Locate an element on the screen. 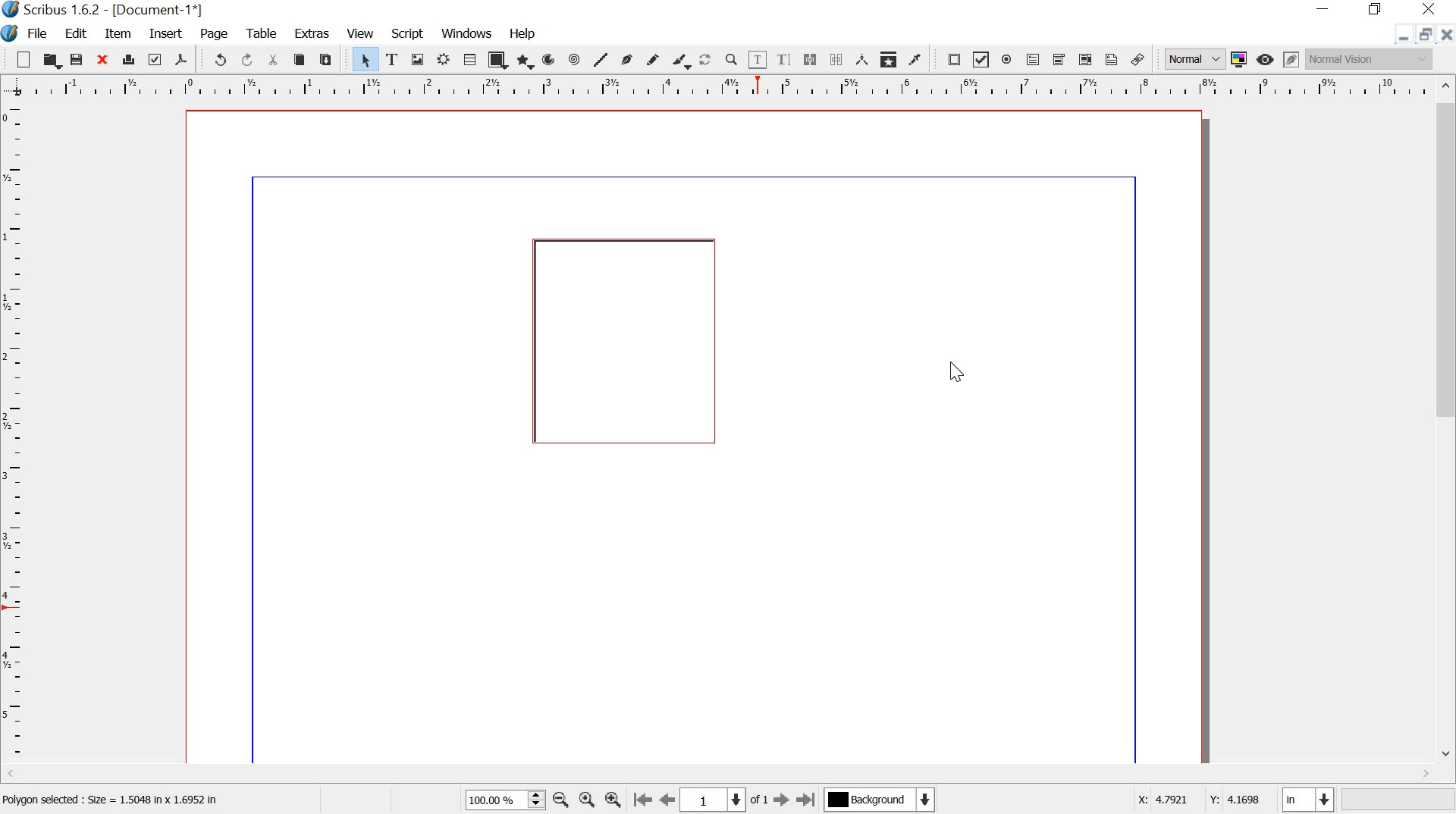  help is located at coordinates (525, 35).